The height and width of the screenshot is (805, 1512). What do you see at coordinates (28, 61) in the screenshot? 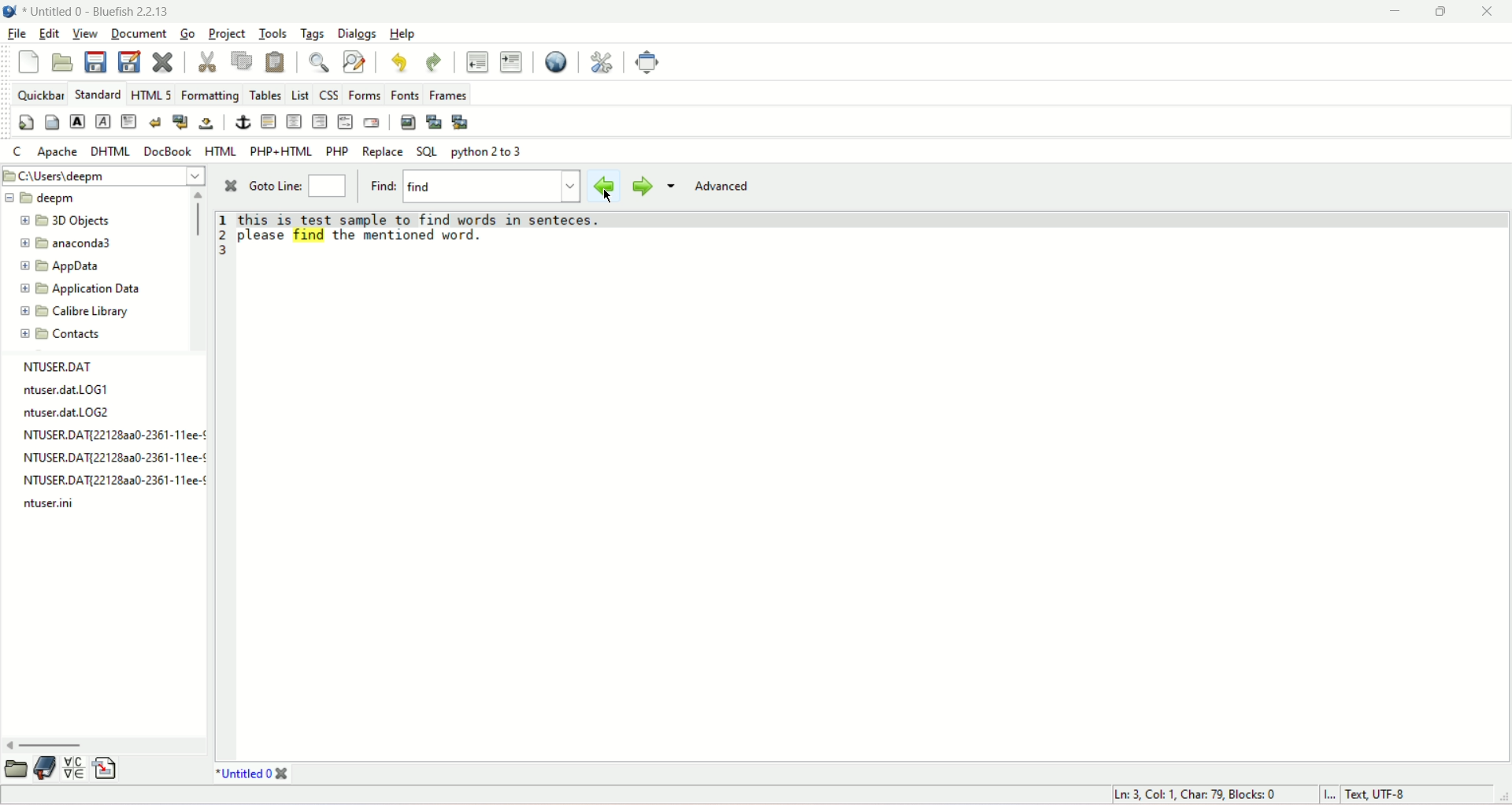
I see `new` at bounding box center [28, 61].